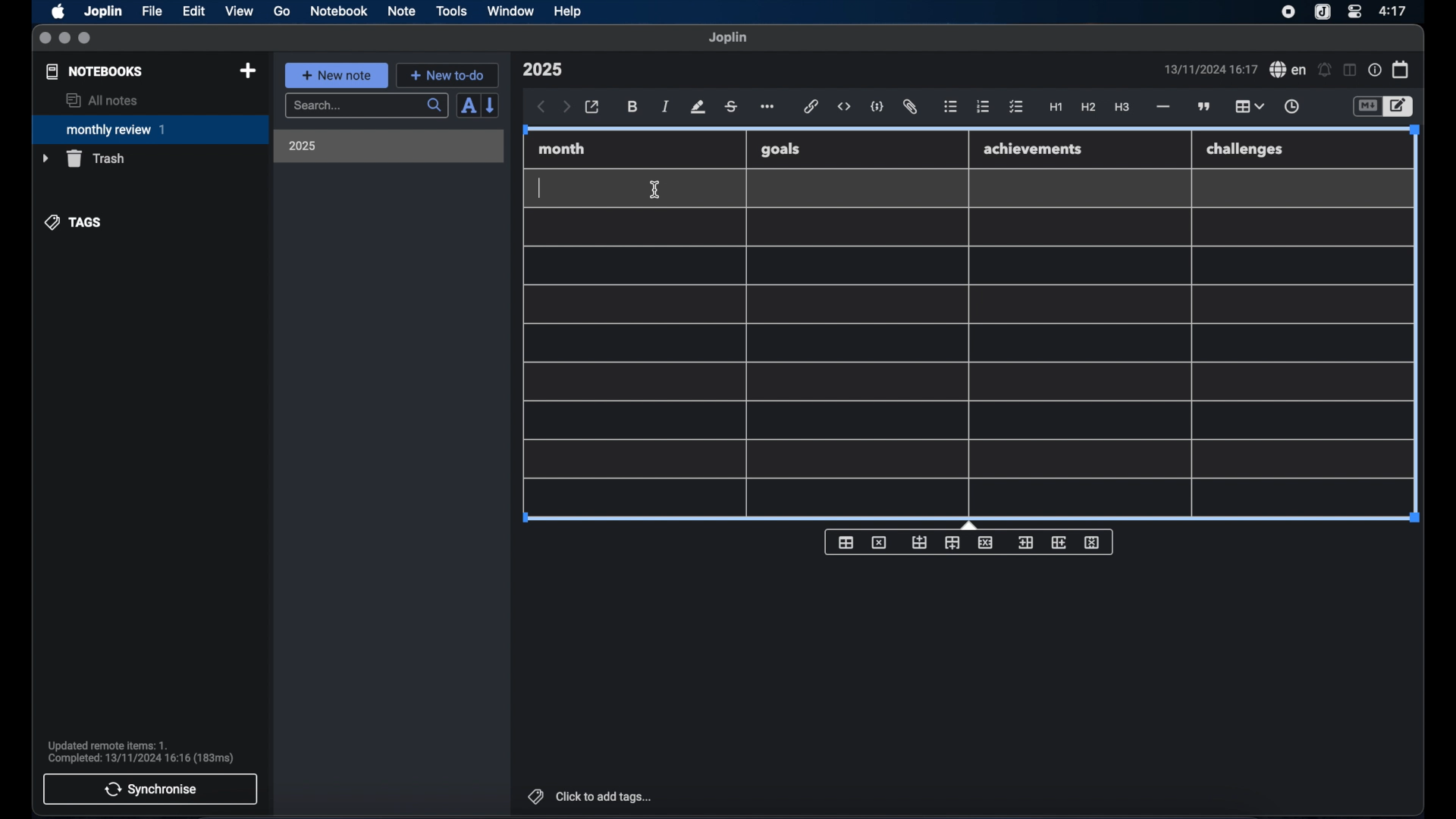  What do you see at coordinates (952, 543) in the screenshot?
I see `insert row after` at bounding box center [952, 543].